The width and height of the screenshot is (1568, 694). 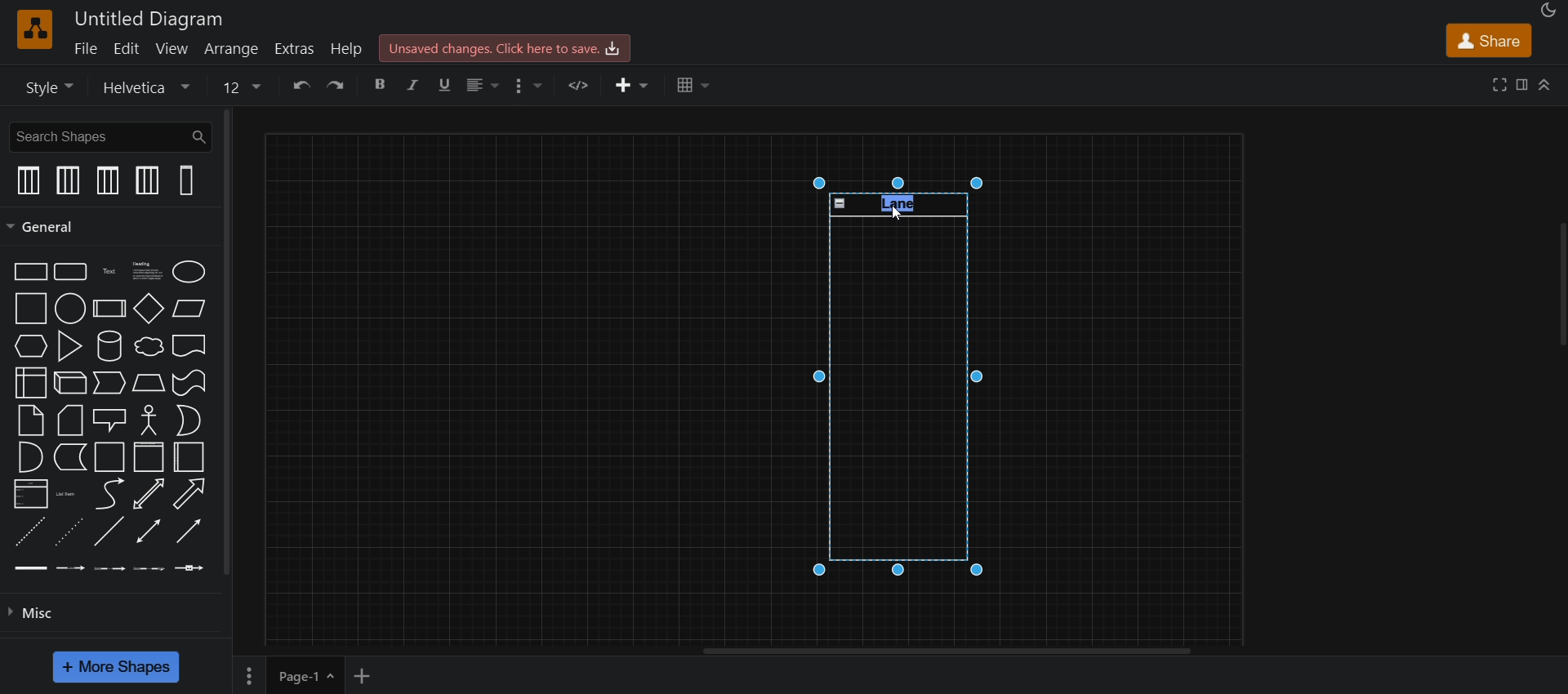 I want to click on add new page, so click(x=373, y=674).